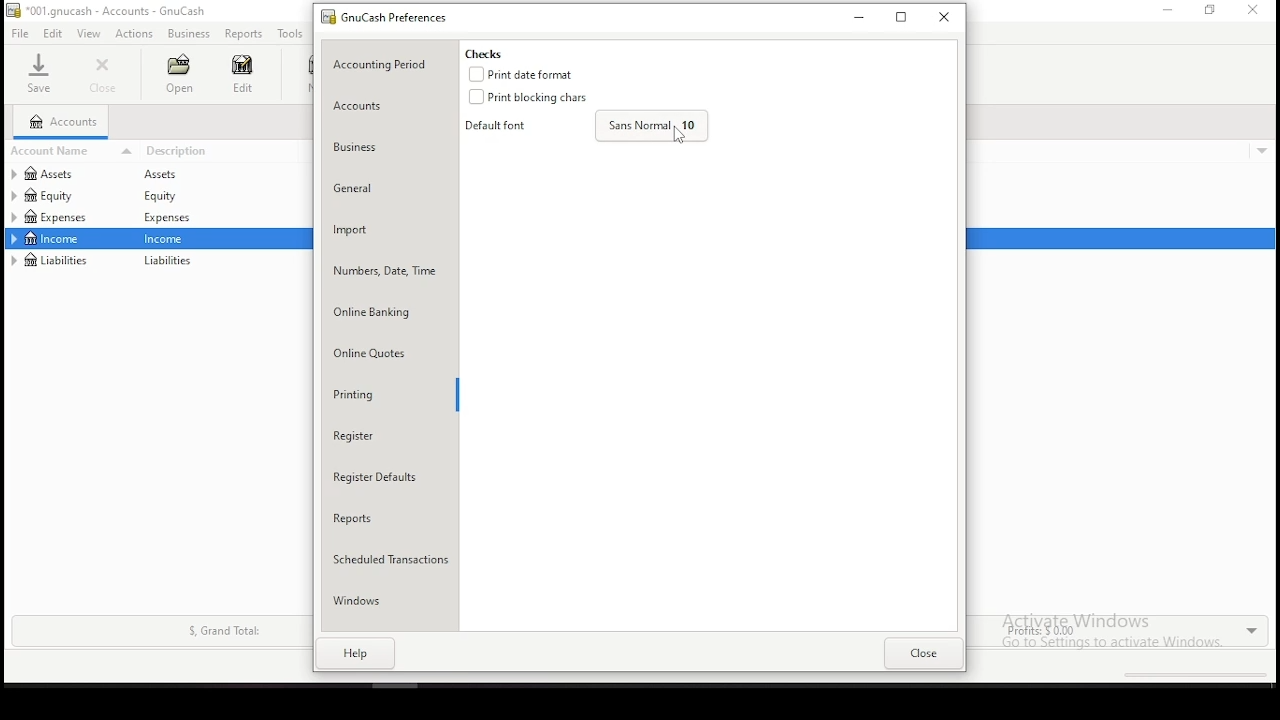 This screenshot has height=720, width=1280. What do you see at coordinates (385, 268) in the screenshot?
I see `number, date, time` at bounding box center [385, 268].